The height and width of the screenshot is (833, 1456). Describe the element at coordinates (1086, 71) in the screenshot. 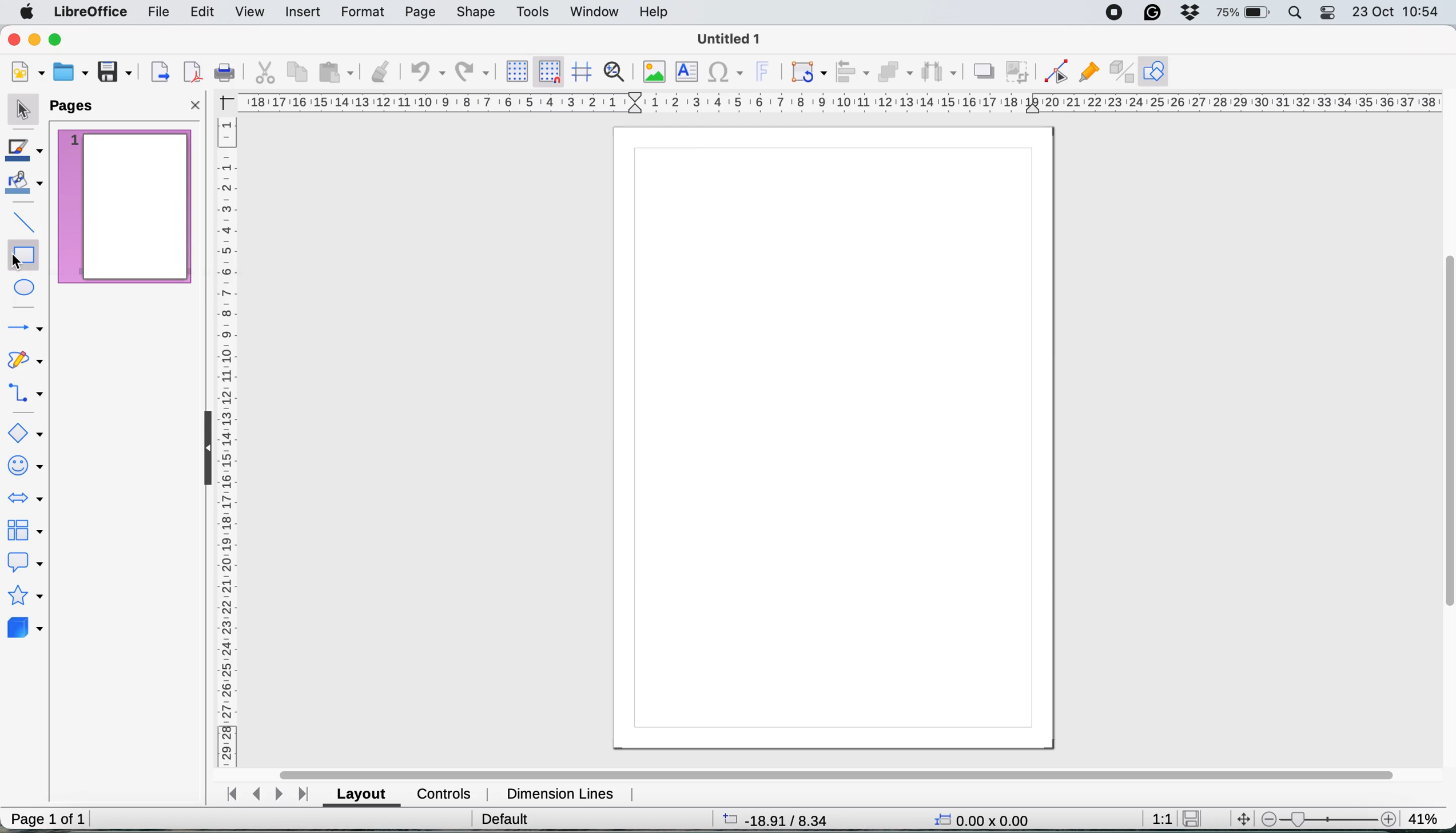

I see `show gluepoint functions` at that location.